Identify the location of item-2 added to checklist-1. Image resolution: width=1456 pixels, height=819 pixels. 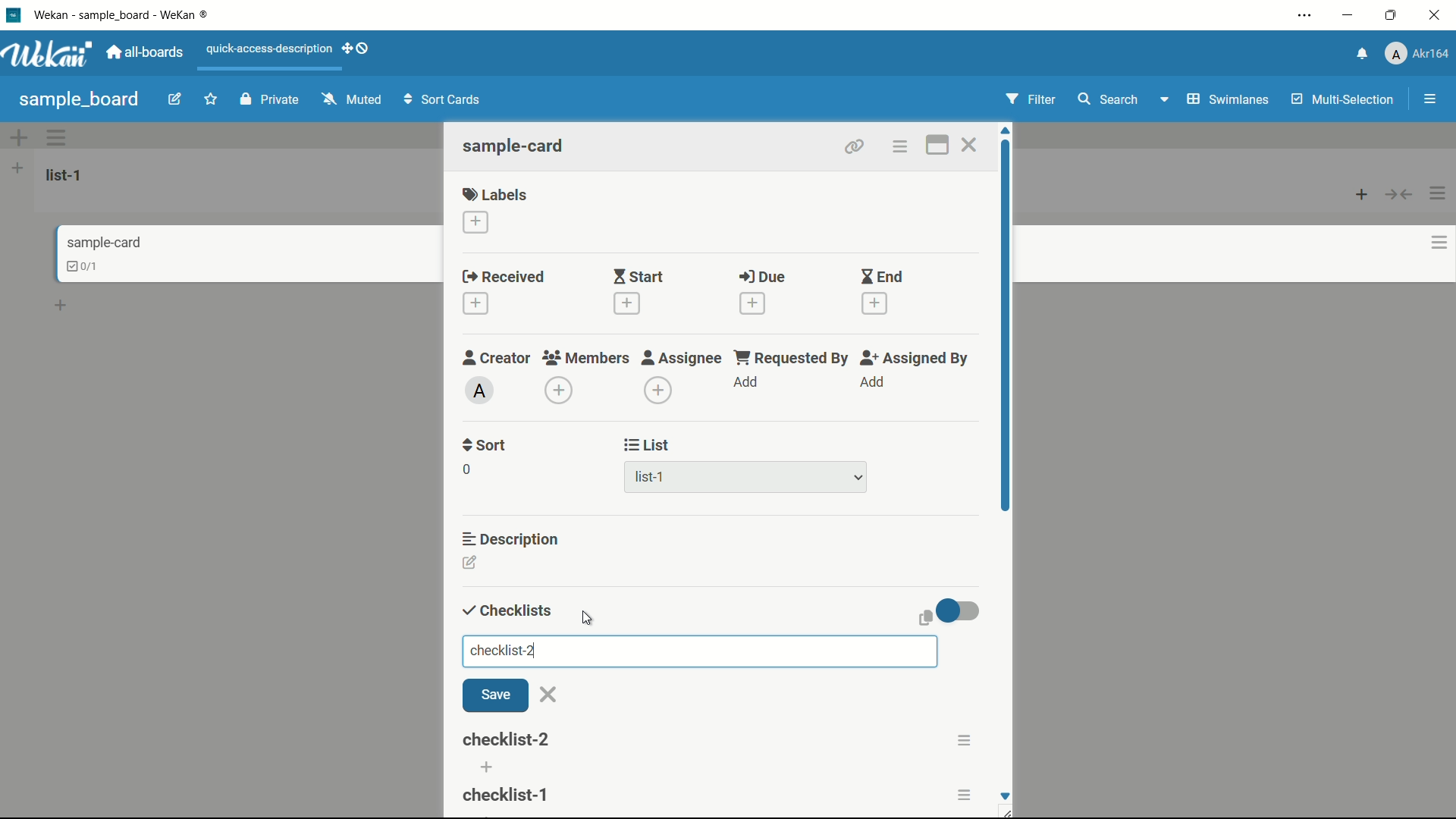
(507, 793).